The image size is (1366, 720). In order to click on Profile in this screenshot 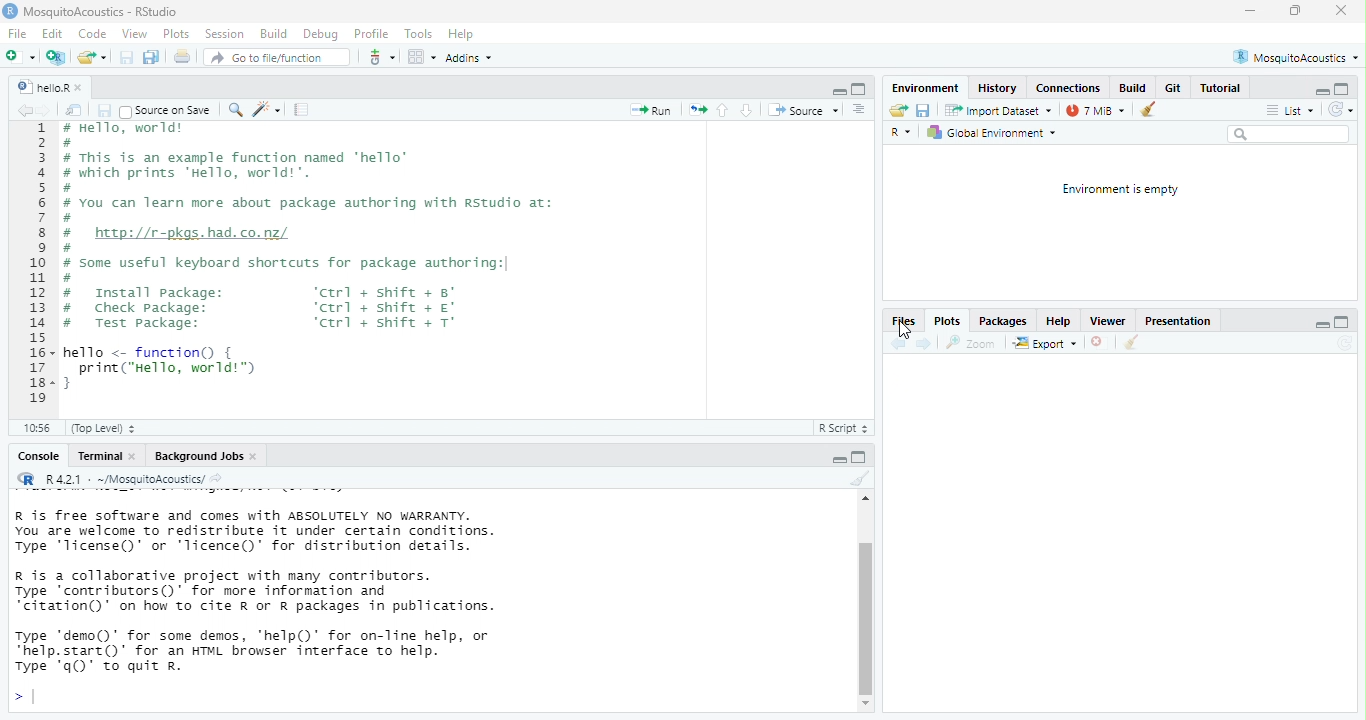, I will do `click(371, 32)`.